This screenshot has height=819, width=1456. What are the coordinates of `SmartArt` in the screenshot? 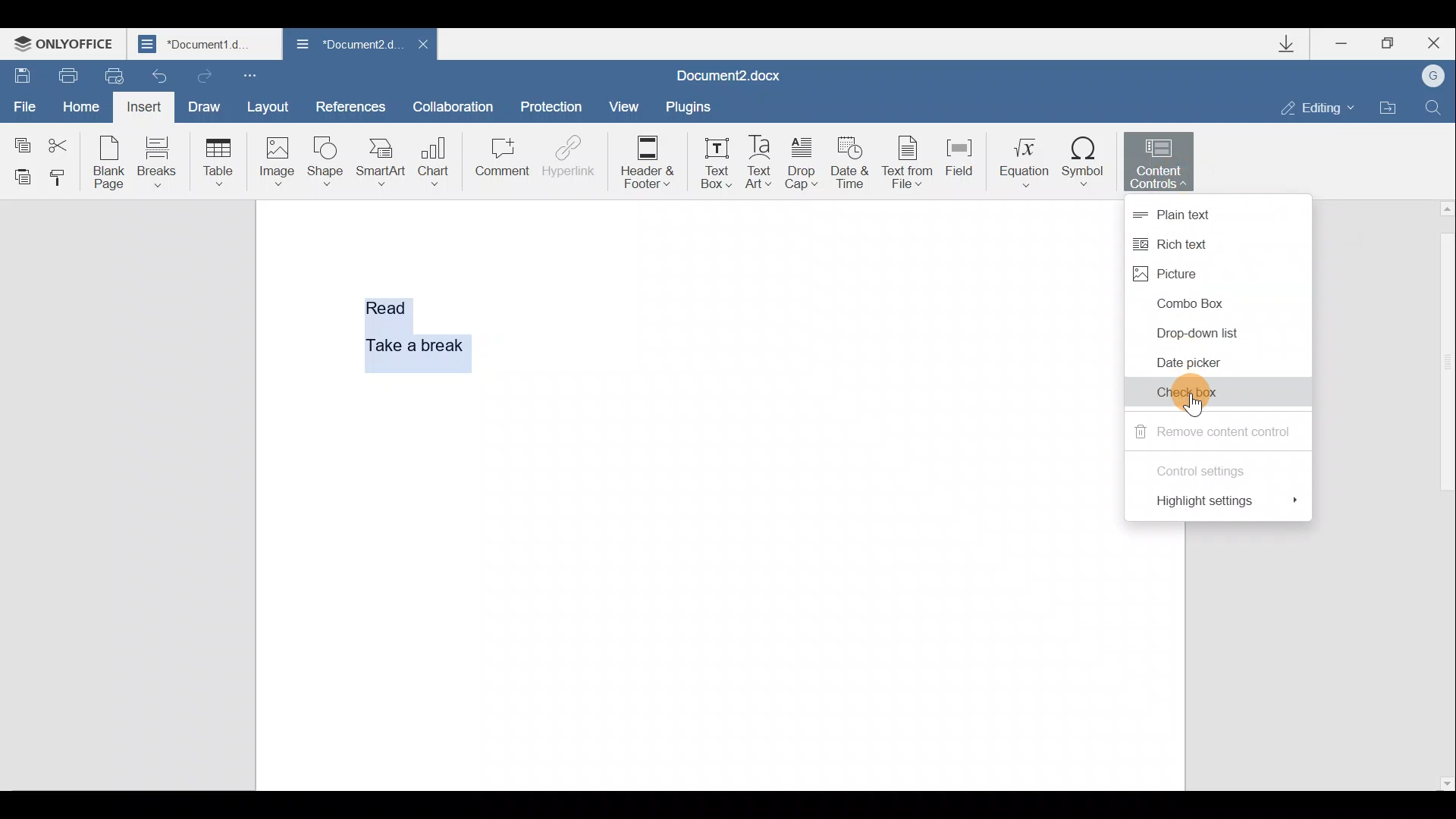 It's located at (381, 162).